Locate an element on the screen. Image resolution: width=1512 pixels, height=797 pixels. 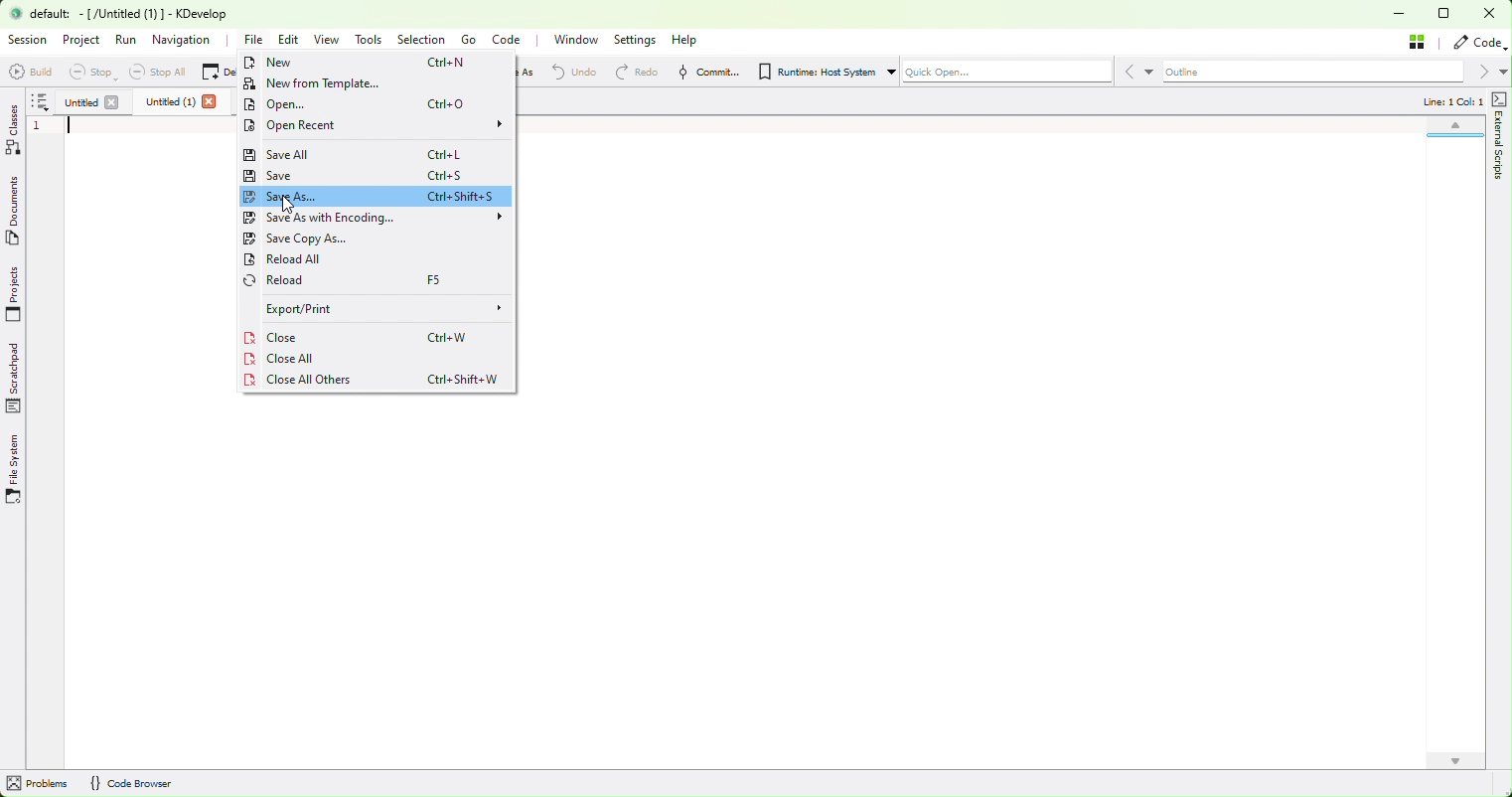
Documents is located at coordinates (17, 214).